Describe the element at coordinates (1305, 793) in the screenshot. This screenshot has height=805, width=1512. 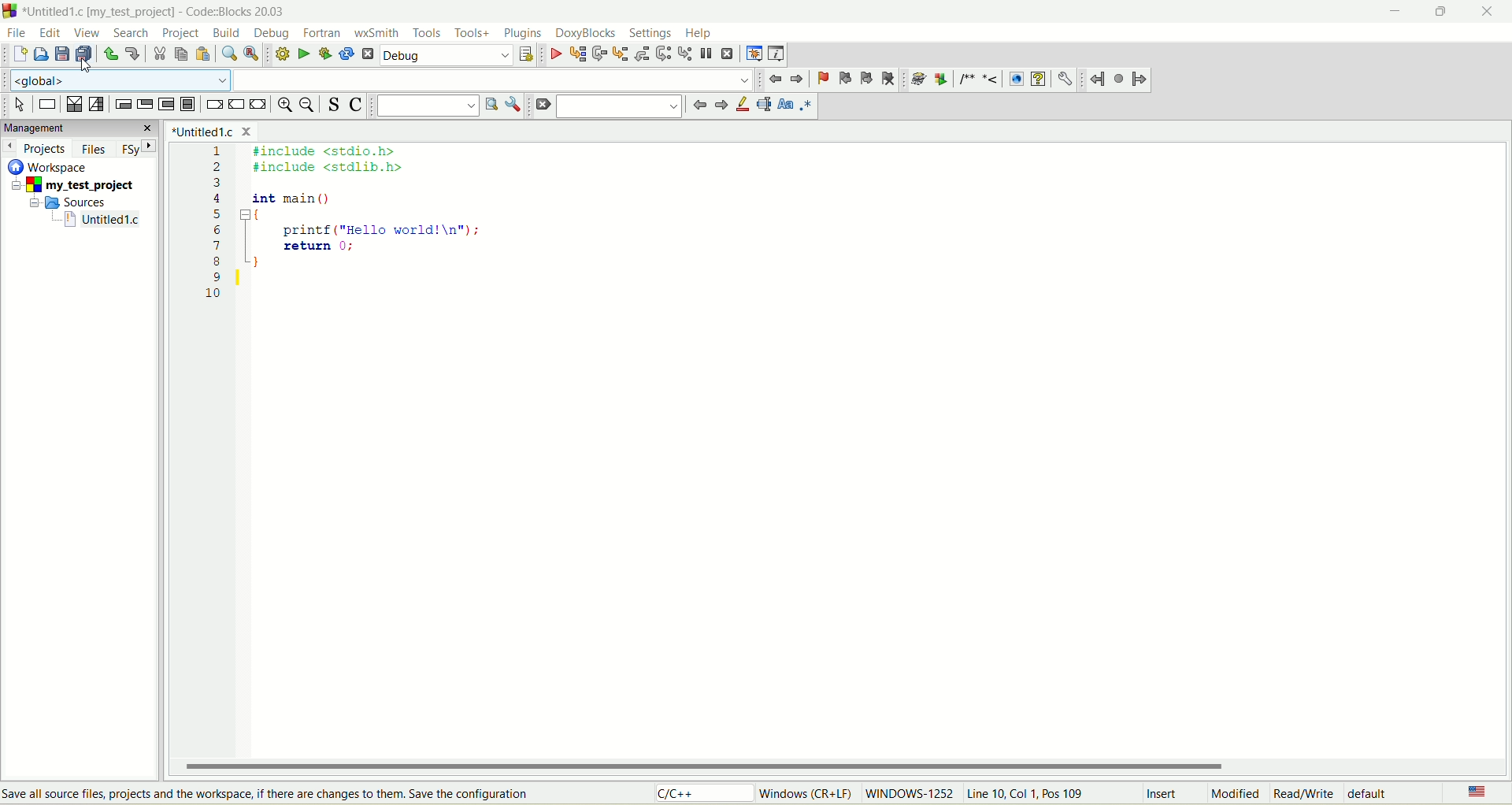
I see `read/write` at that location.